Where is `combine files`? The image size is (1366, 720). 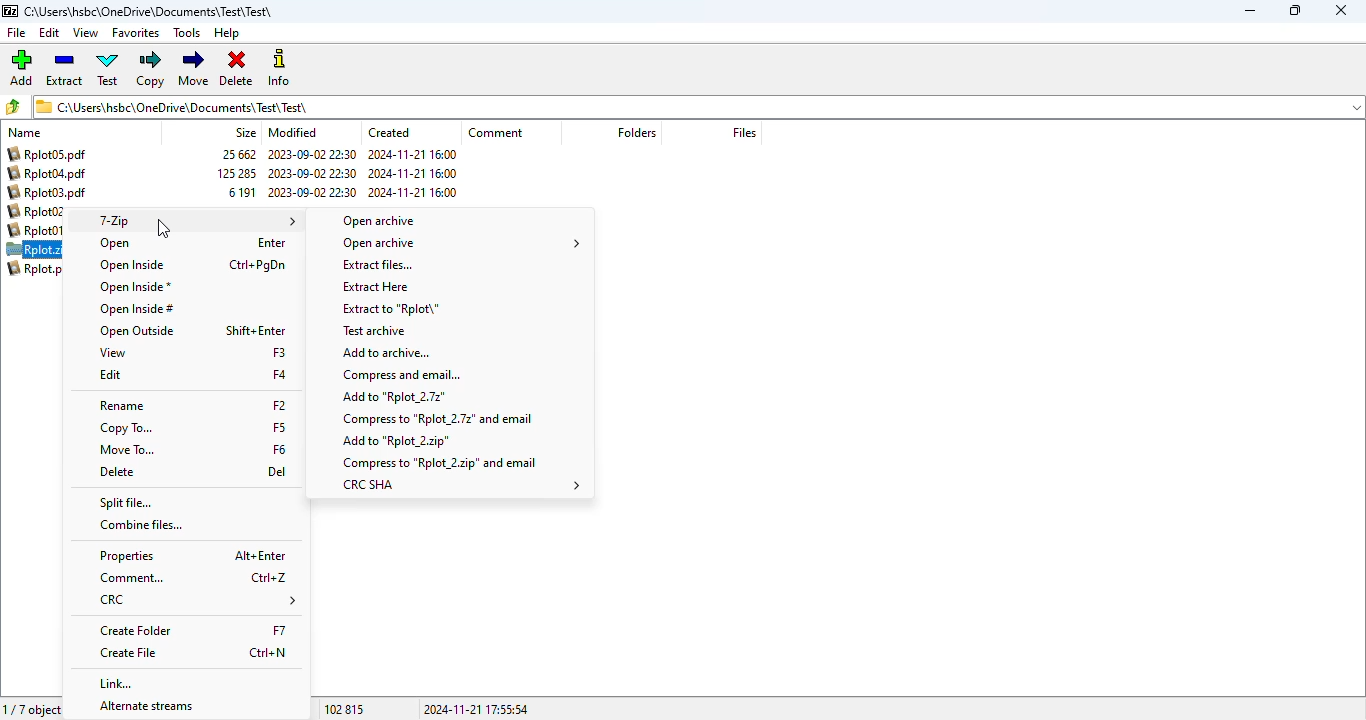 combine files is located at coordinates (140, 525).